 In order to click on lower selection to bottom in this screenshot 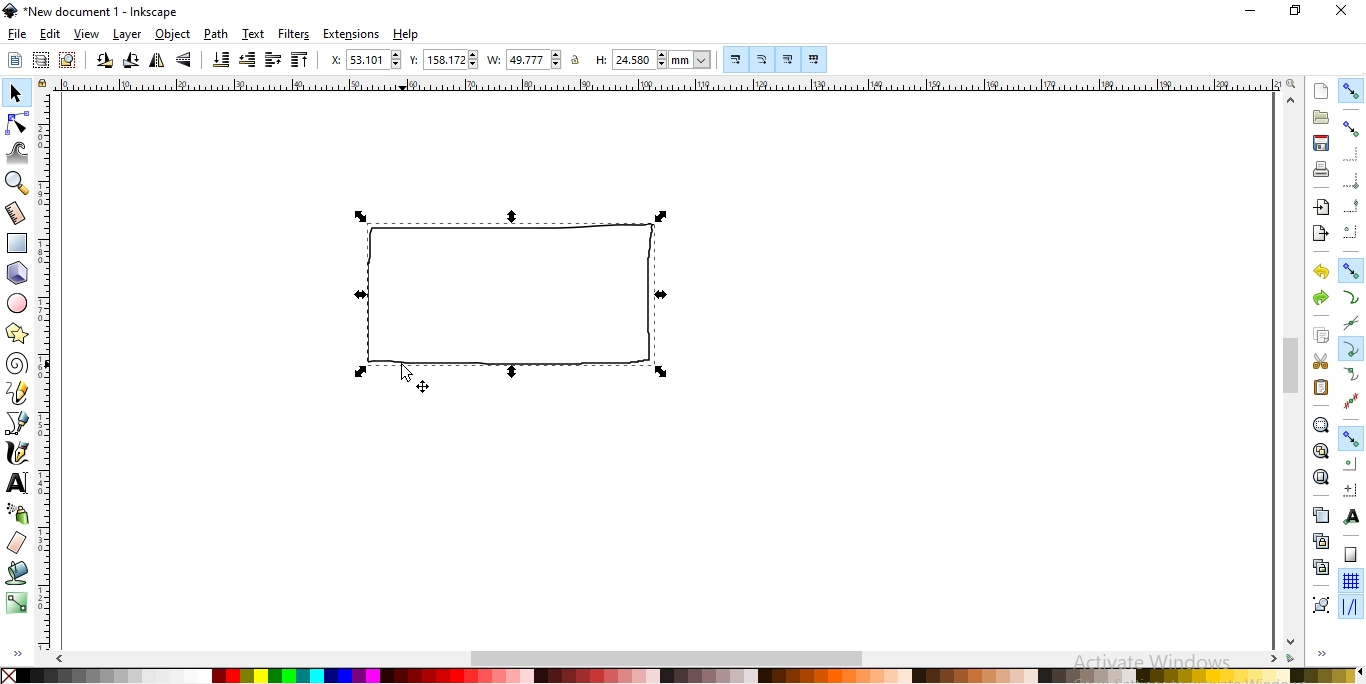, I will do `click(220, 60)`.